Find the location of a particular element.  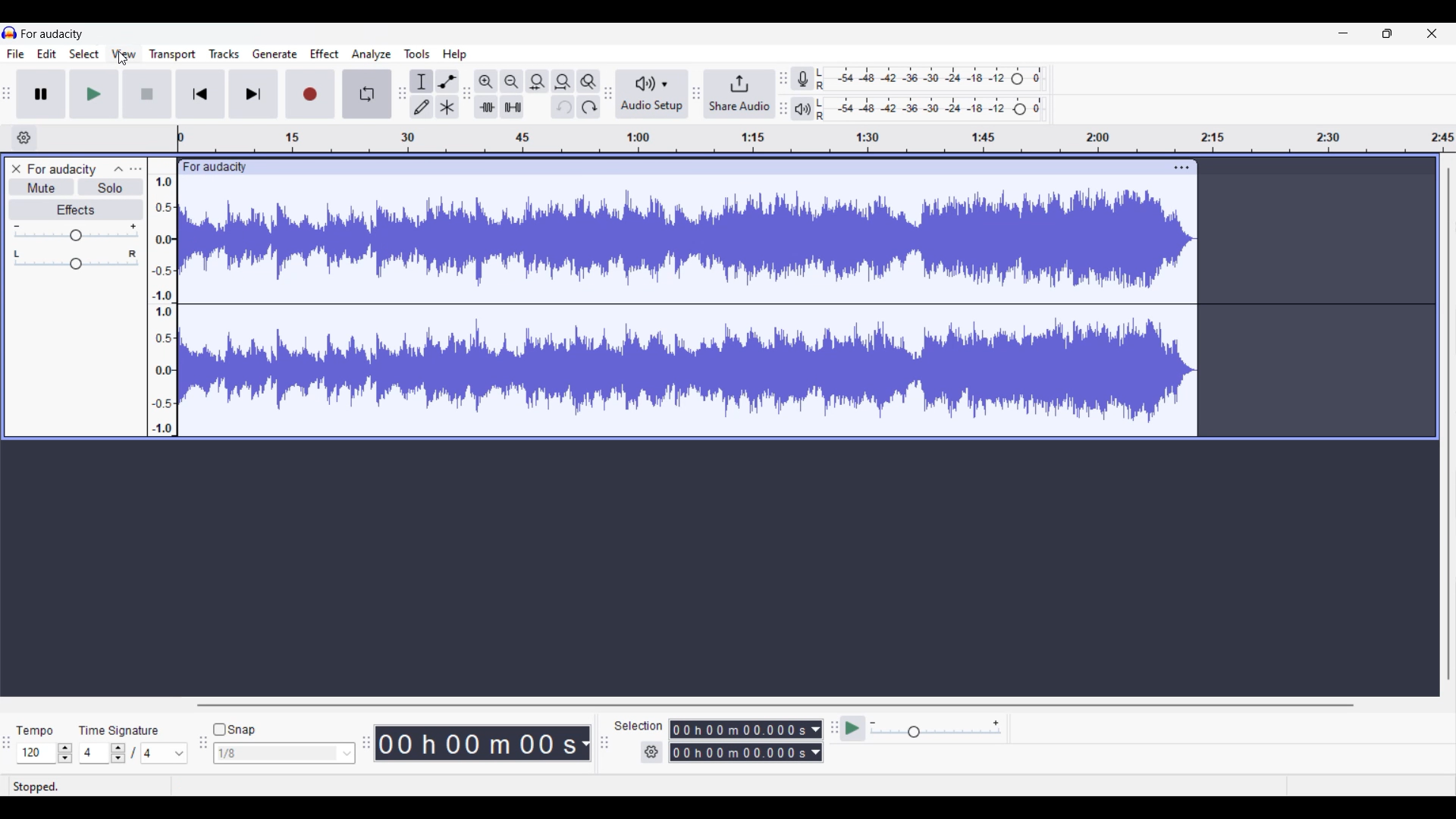

Analyze is located at coordinates (372, 55).